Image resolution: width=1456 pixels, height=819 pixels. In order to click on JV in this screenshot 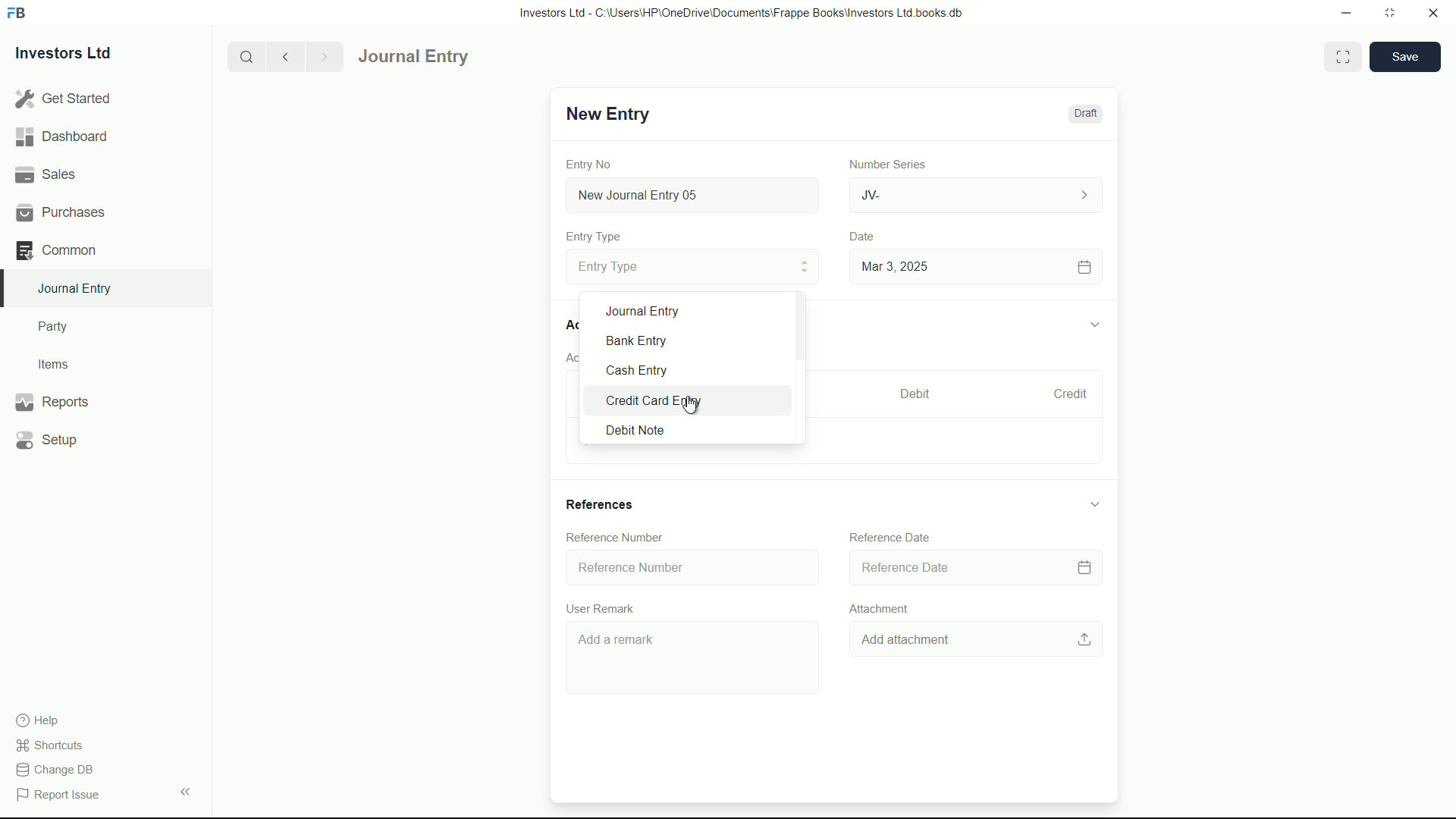, I will do `click(978, 193)`.